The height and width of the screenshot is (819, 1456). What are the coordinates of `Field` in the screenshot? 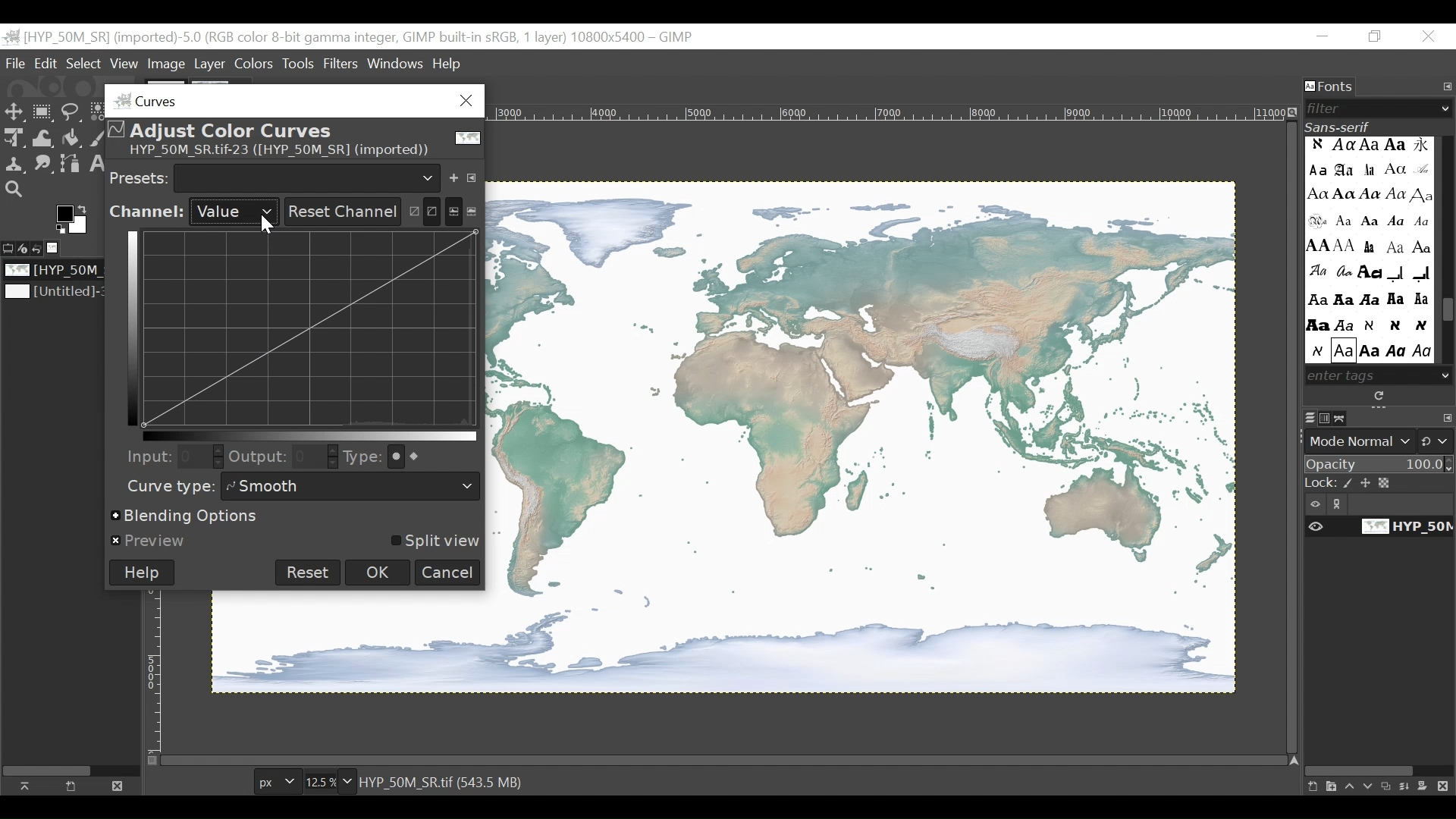 It's located at (199, 456).